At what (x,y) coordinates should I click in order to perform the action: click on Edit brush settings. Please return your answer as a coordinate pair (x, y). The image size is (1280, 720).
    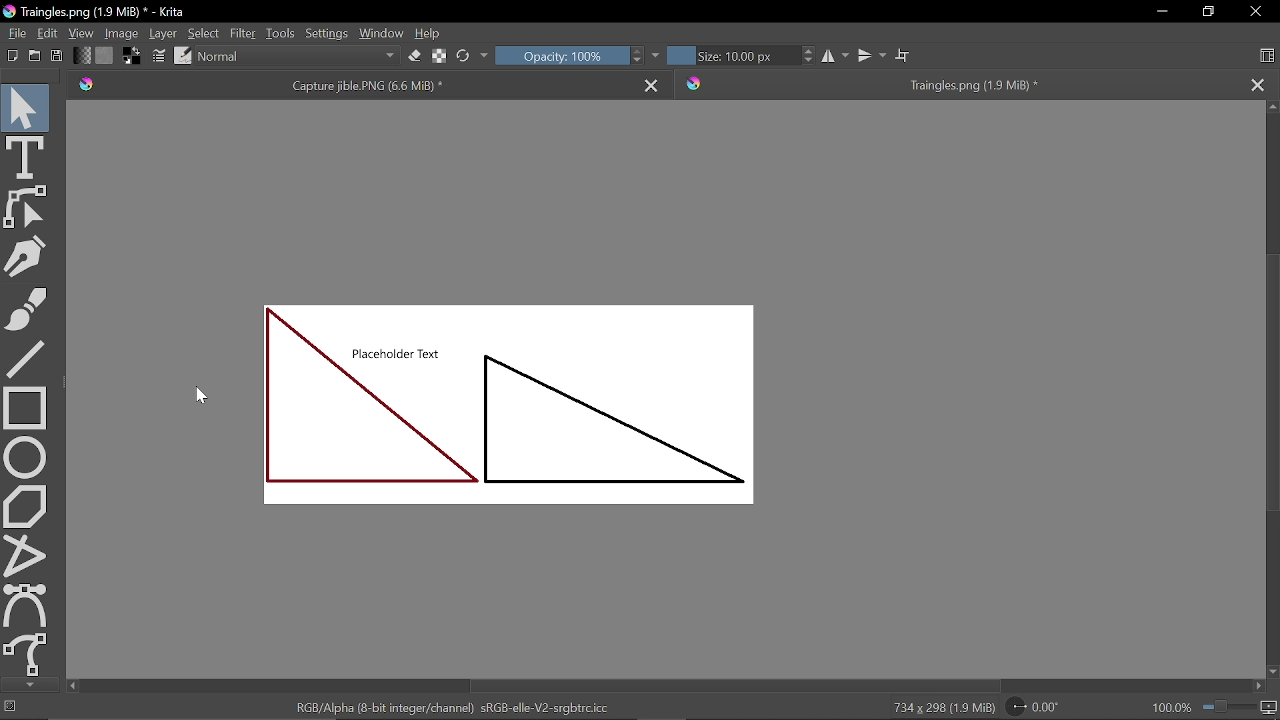
    Looking at the image, I should click on (438, 55).